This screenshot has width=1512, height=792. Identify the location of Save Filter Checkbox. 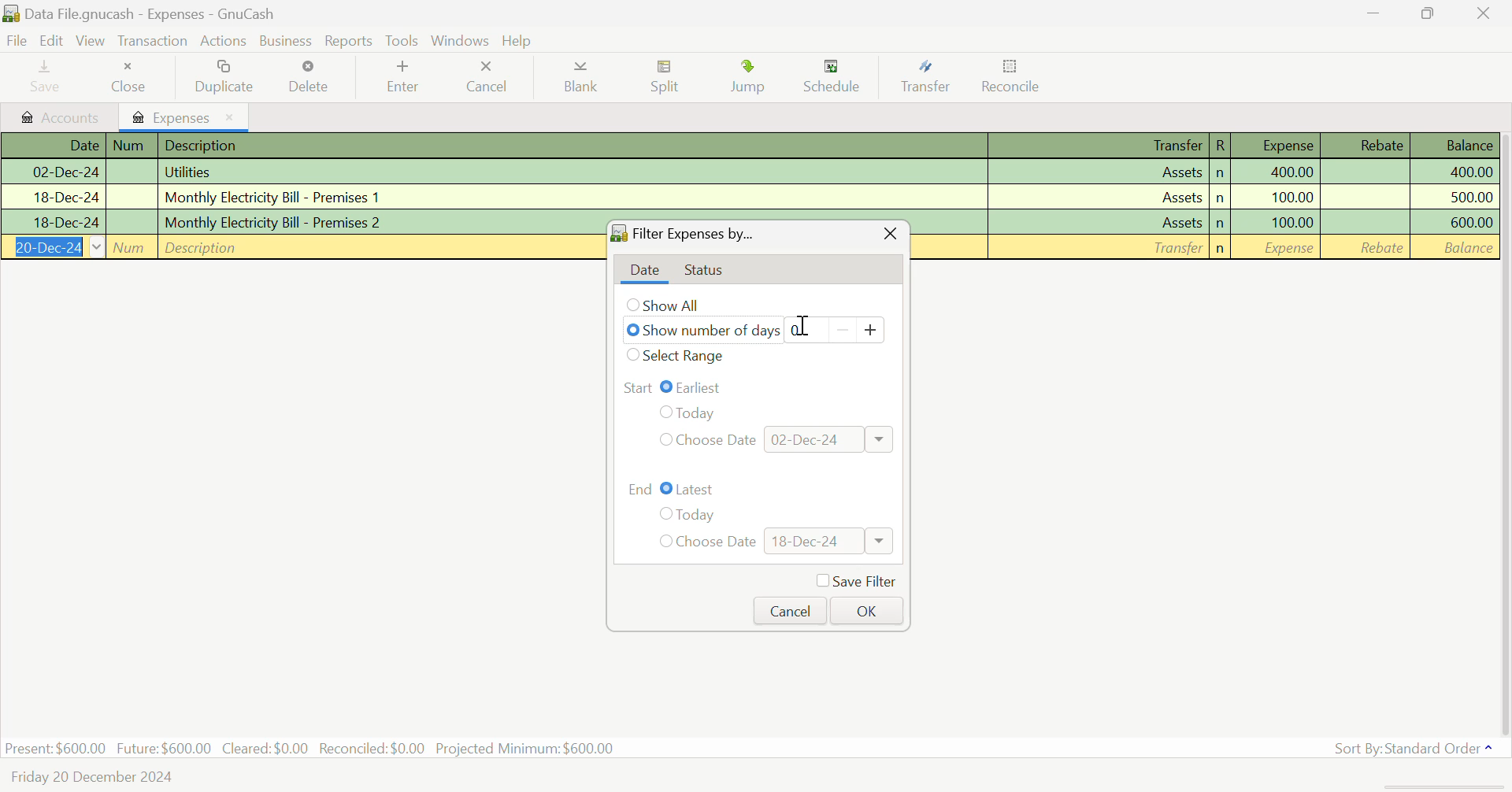
(855, 580).